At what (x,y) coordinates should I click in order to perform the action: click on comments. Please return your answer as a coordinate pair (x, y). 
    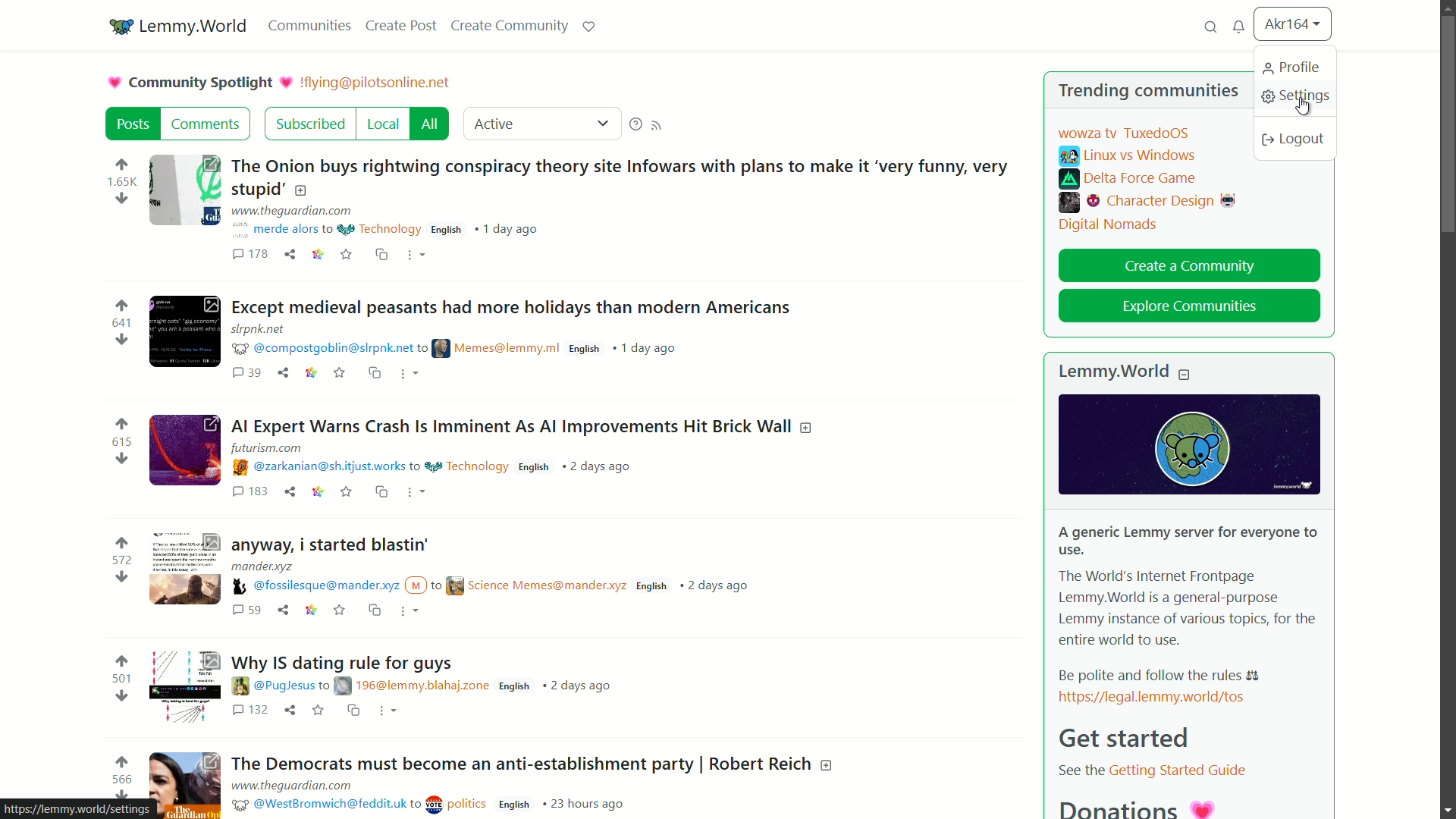
    Looking at the image, I should click on (208, 123).